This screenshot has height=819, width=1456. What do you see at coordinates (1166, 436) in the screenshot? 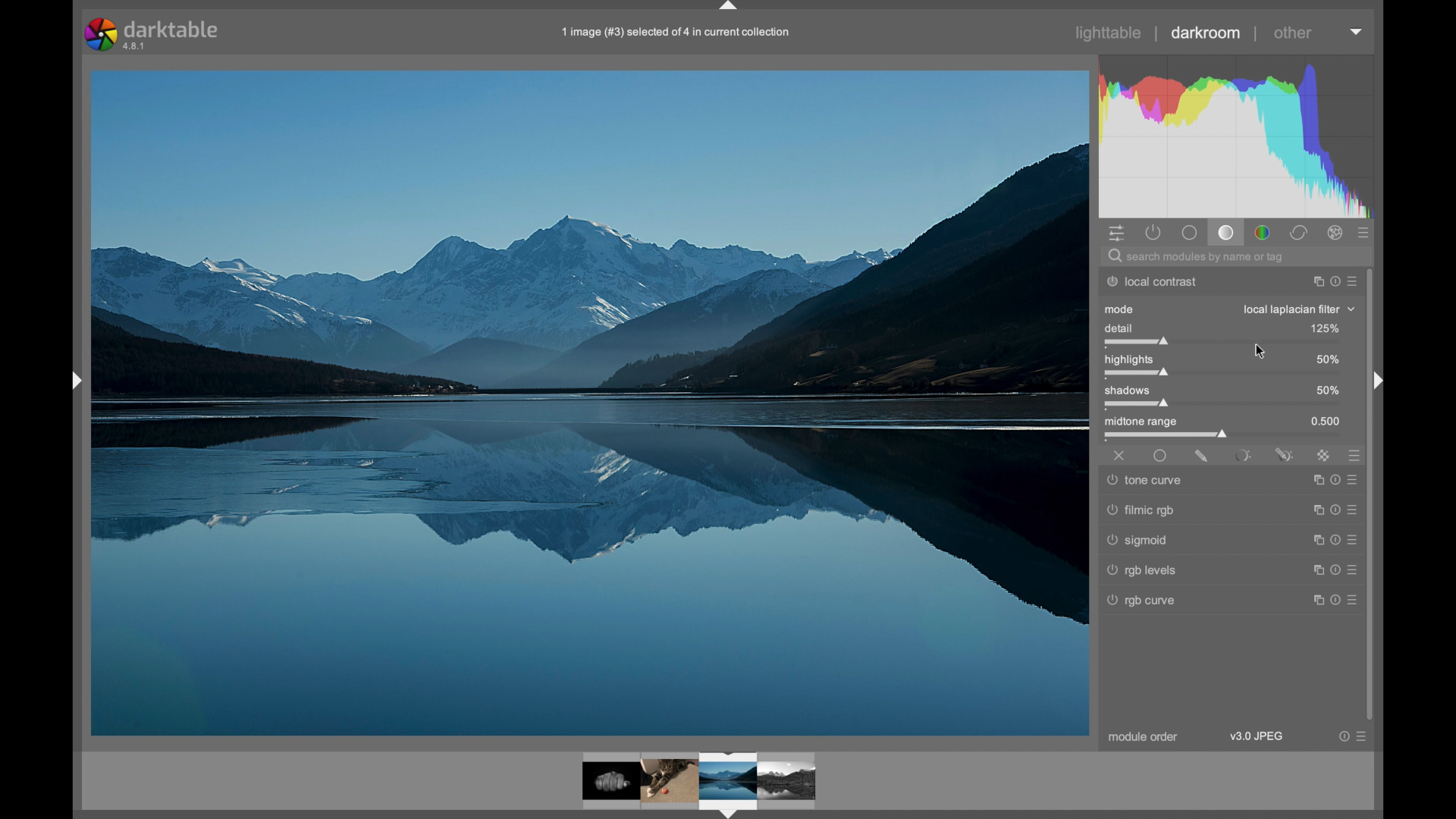
I see `slider` at bounding box center [1166, 436].